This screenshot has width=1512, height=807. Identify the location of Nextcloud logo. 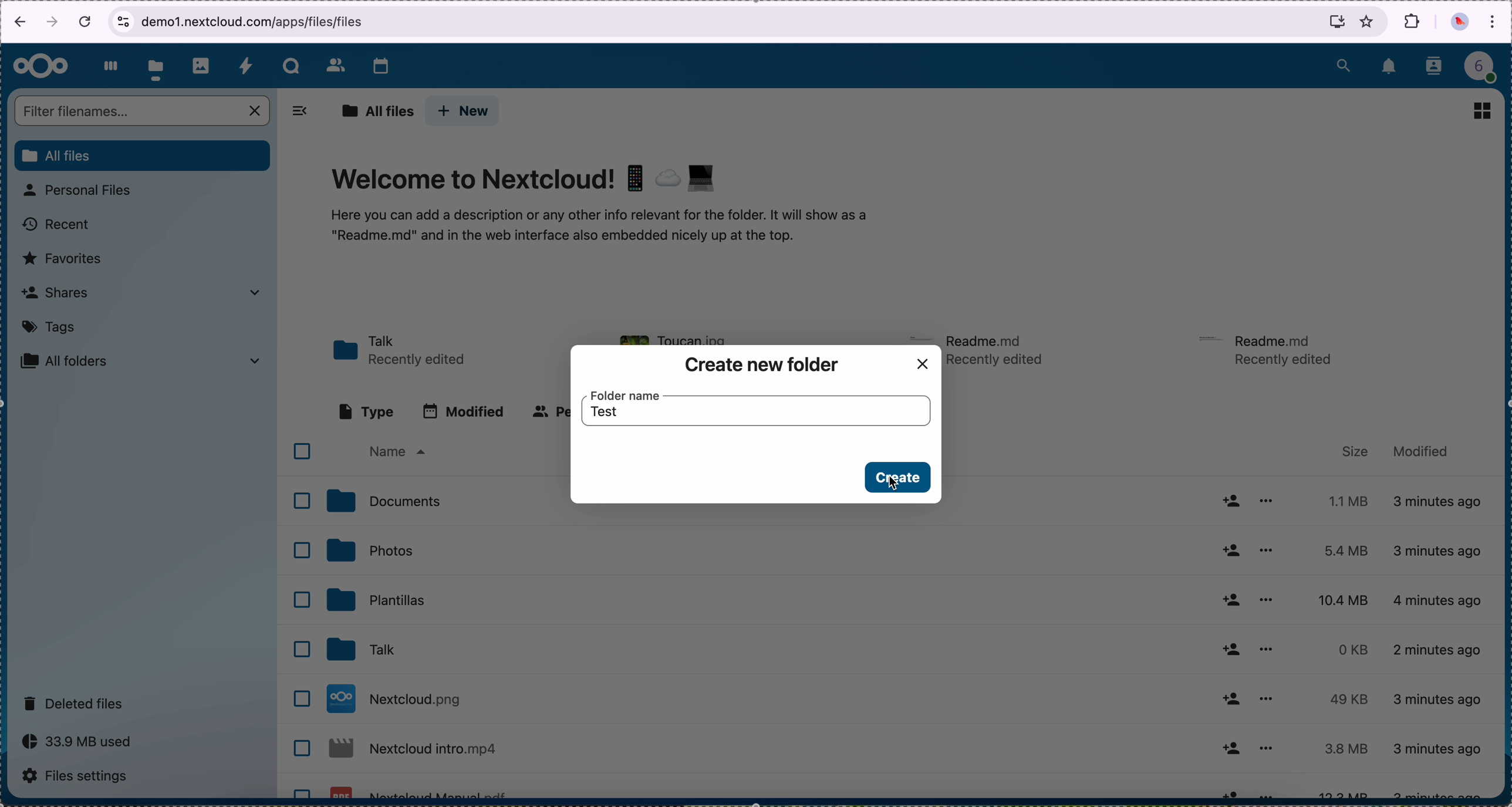
(41, 67).